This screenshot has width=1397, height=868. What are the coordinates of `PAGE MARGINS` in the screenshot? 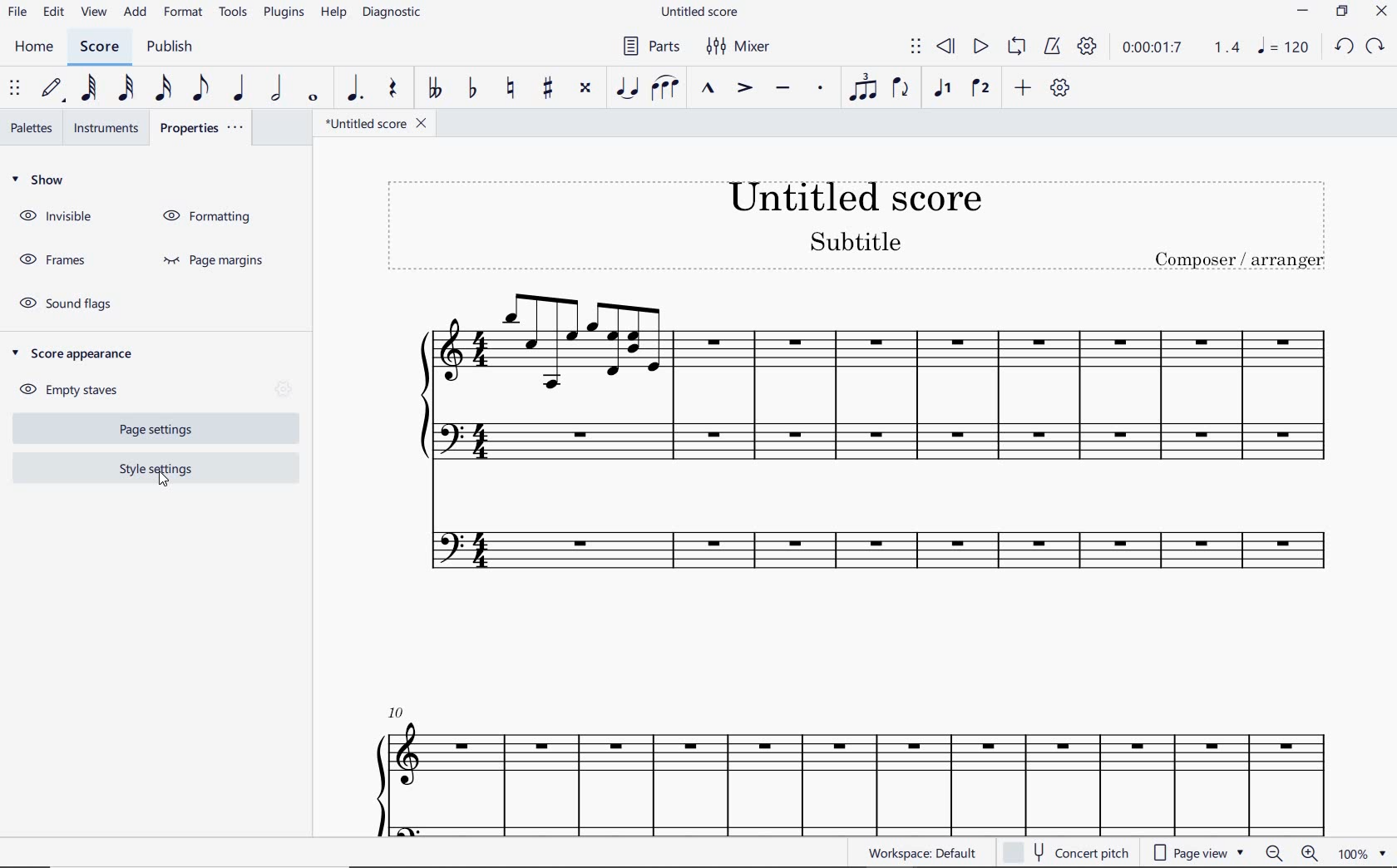 It's located at (216, 261).